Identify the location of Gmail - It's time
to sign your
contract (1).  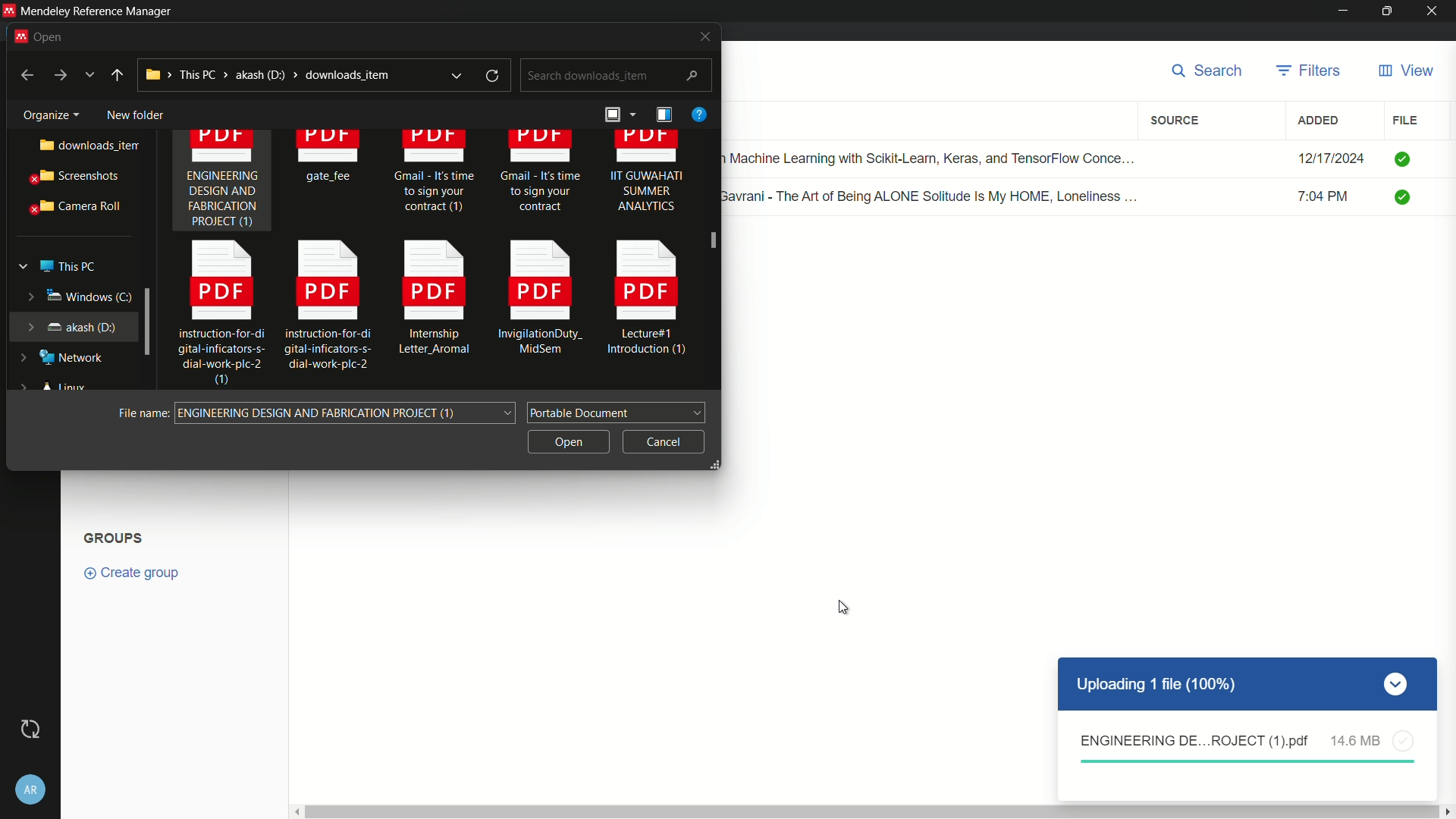
(434, 178).